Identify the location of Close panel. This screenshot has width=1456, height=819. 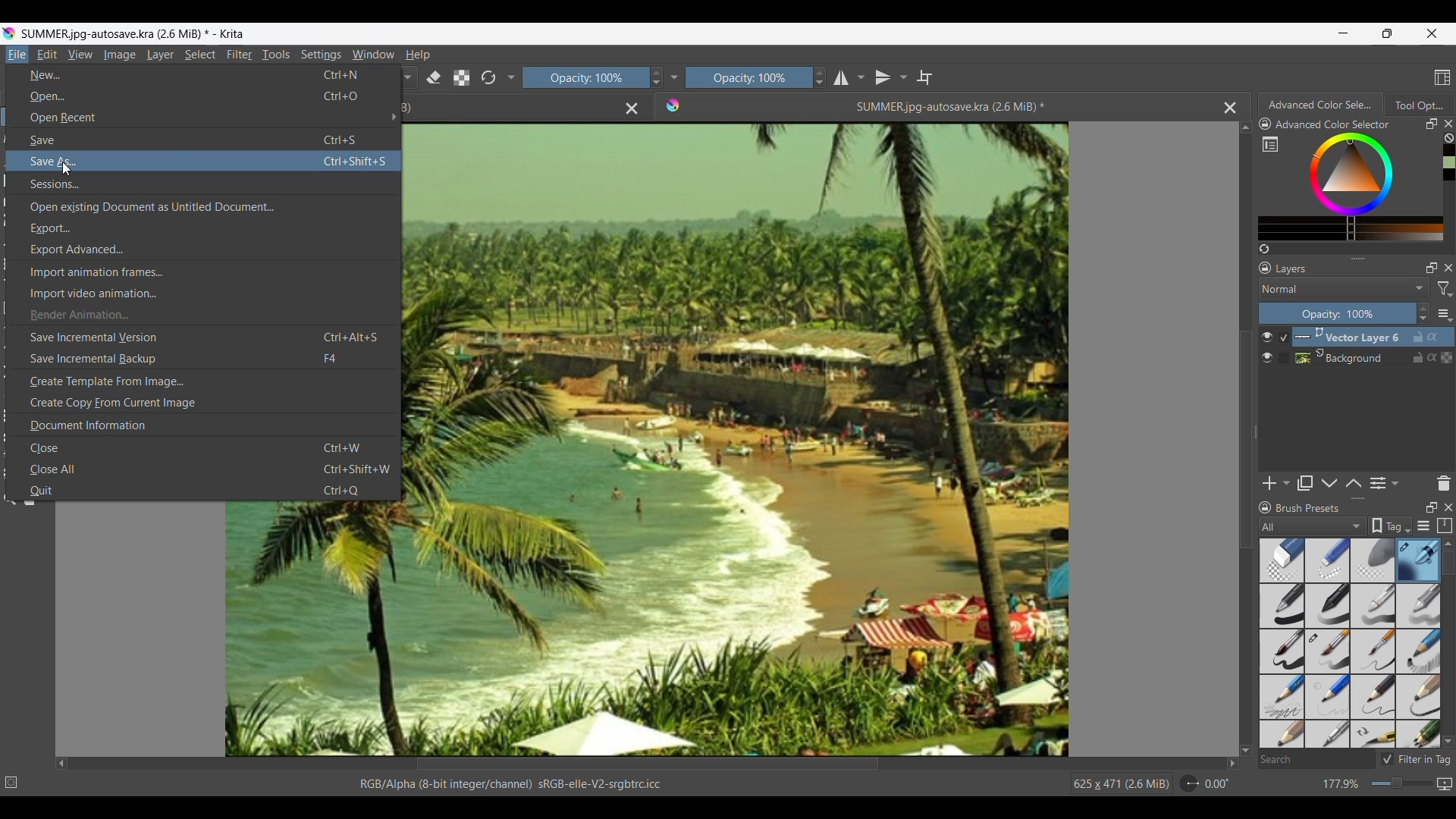
(1448, 507).